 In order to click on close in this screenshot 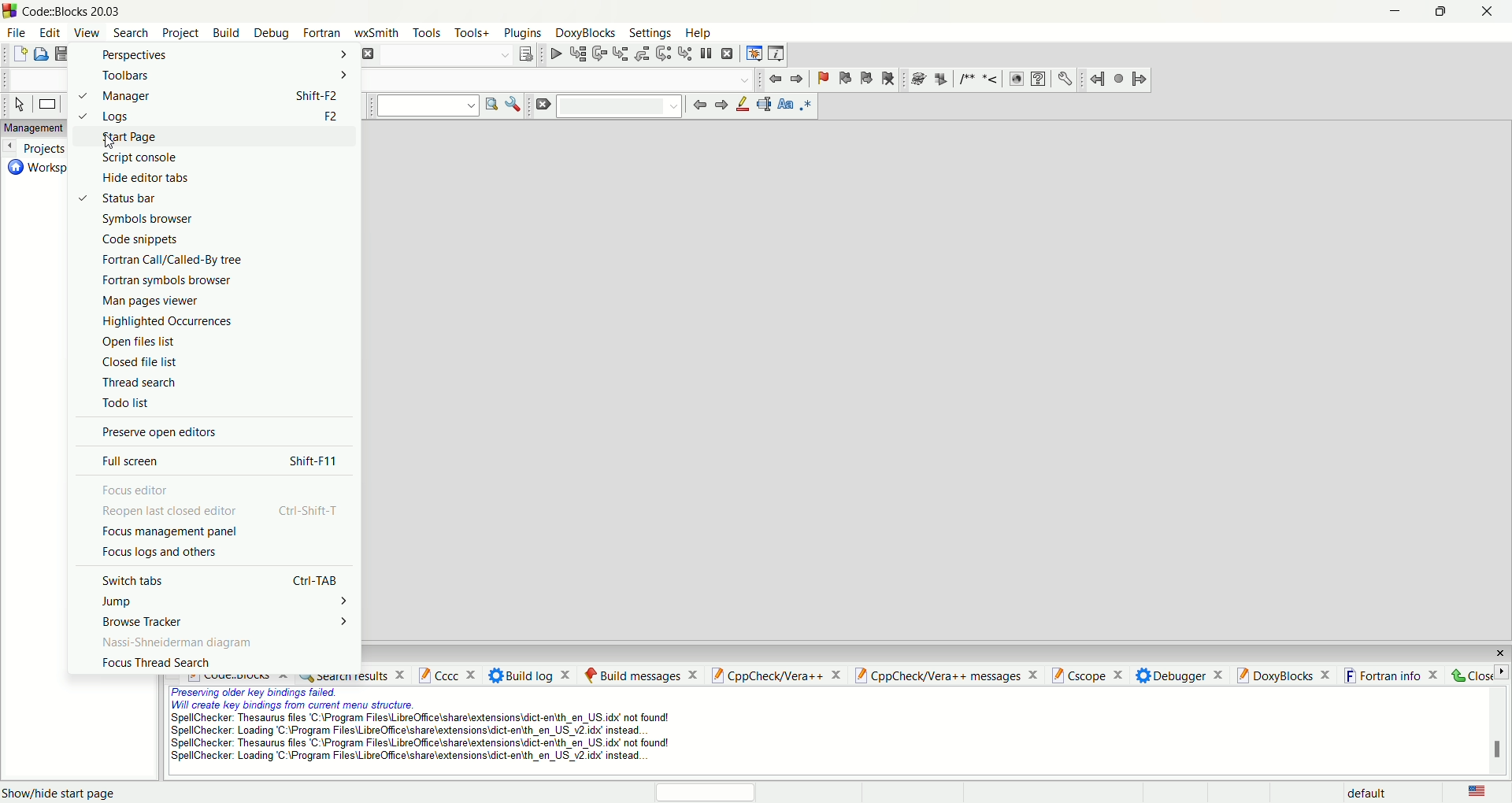, I will do `click(1500, 653)`.